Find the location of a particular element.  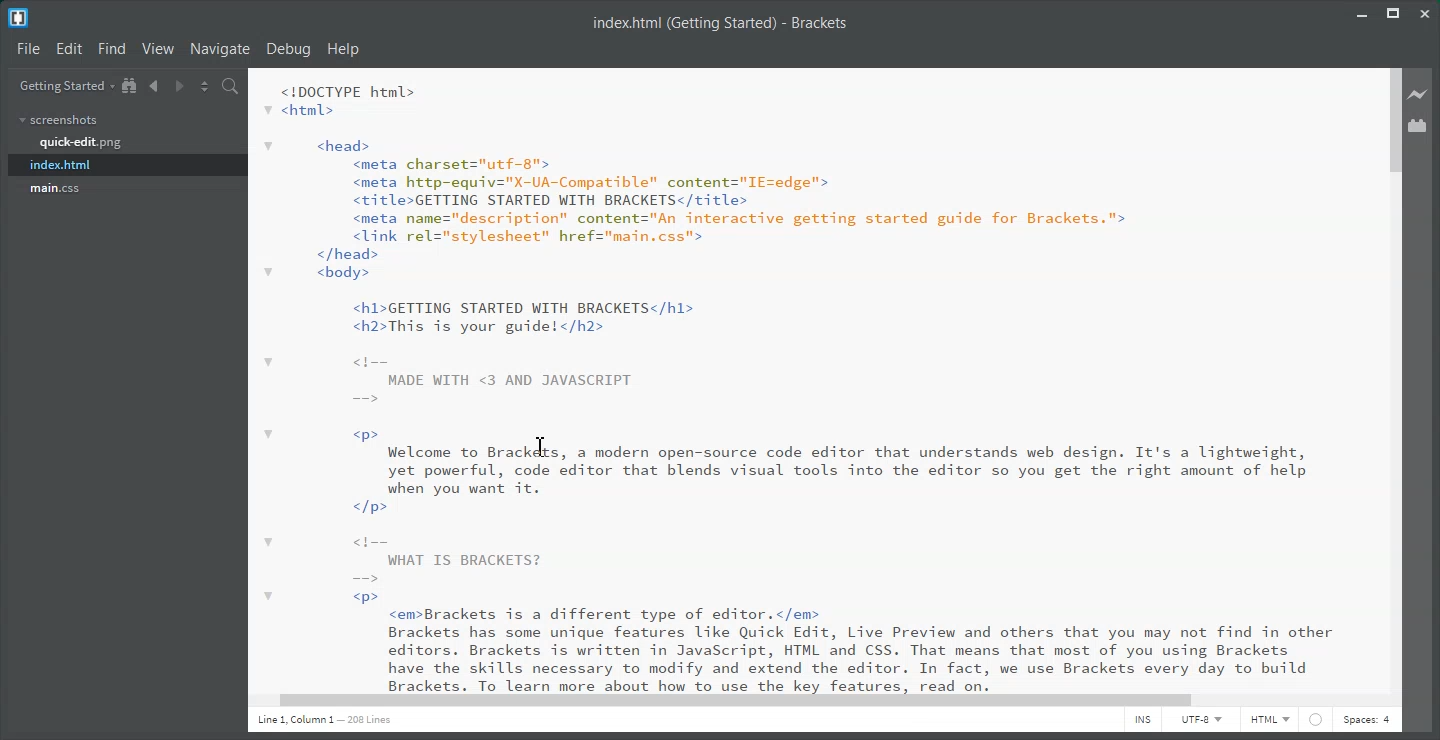

Logo is located at coordinates (18, 19).